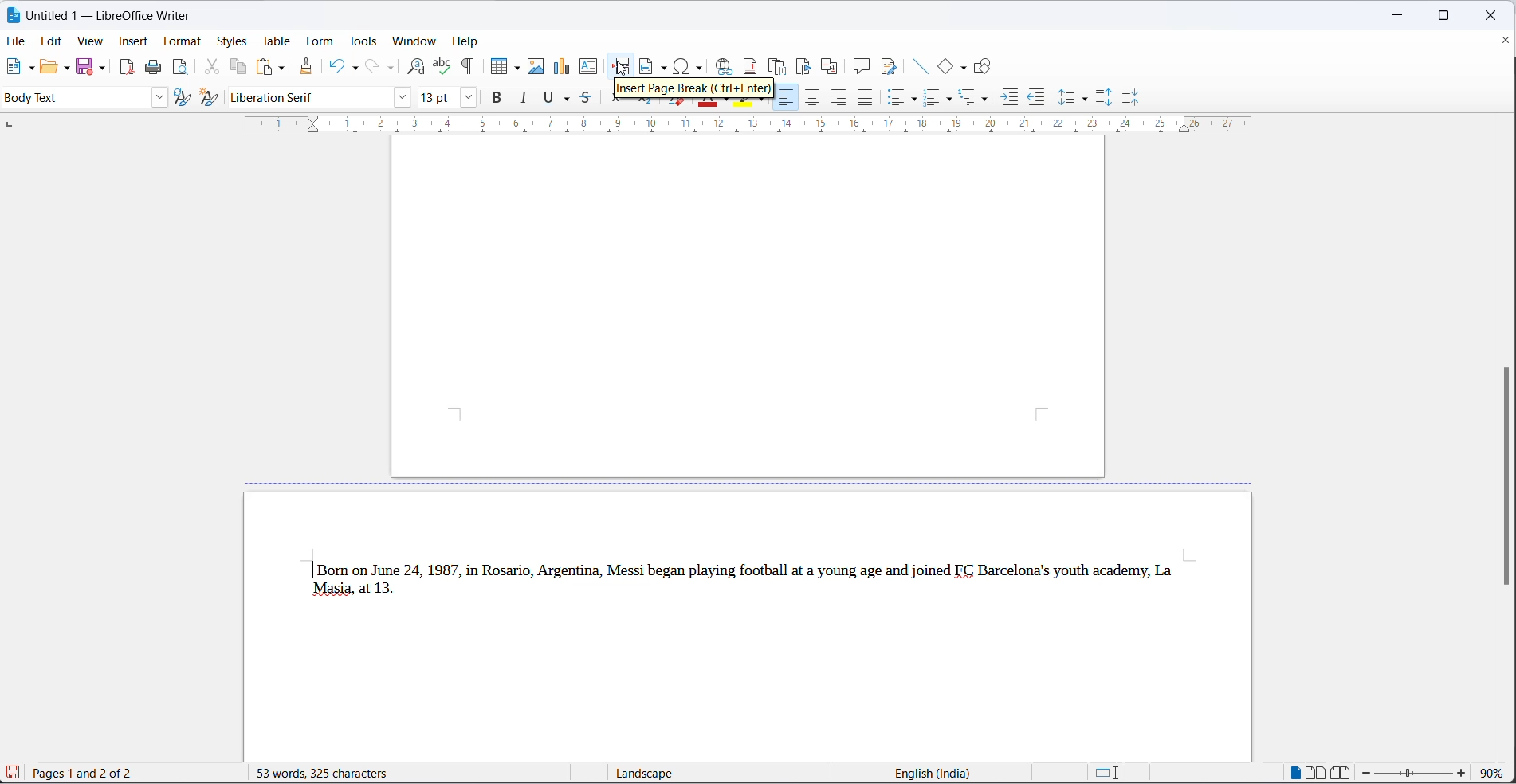 This screenshot has width=1516, height=784. What do you see at coordinates (304, 97) in the screenshot?
I see `font name` at bounding box center [304, 97].